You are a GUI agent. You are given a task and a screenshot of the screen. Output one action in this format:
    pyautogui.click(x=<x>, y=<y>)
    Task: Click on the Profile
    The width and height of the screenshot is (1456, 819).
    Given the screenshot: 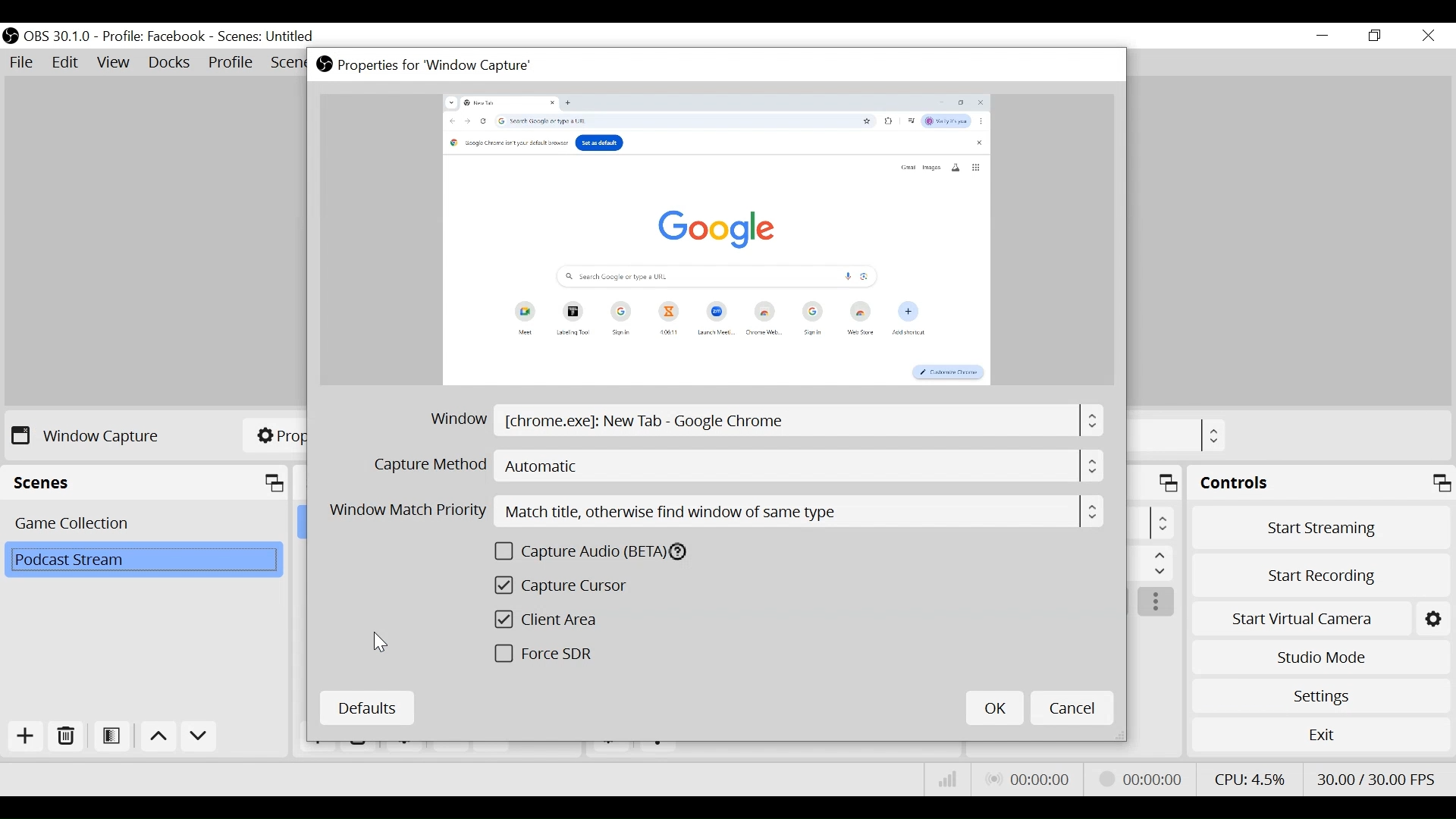 What is the action you would take?
    pyautogui.click(x=231, y=63)
    